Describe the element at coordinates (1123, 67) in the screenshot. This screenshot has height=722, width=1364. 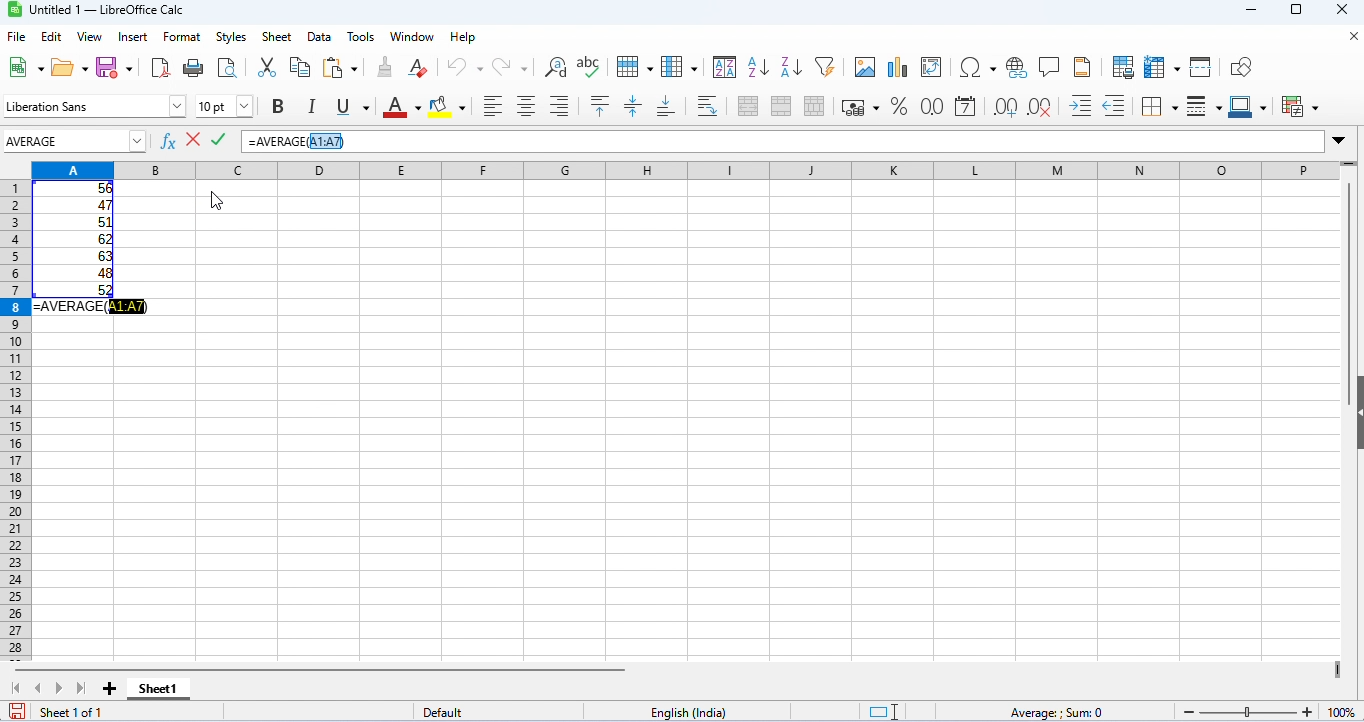
I see `define print area` at that location.